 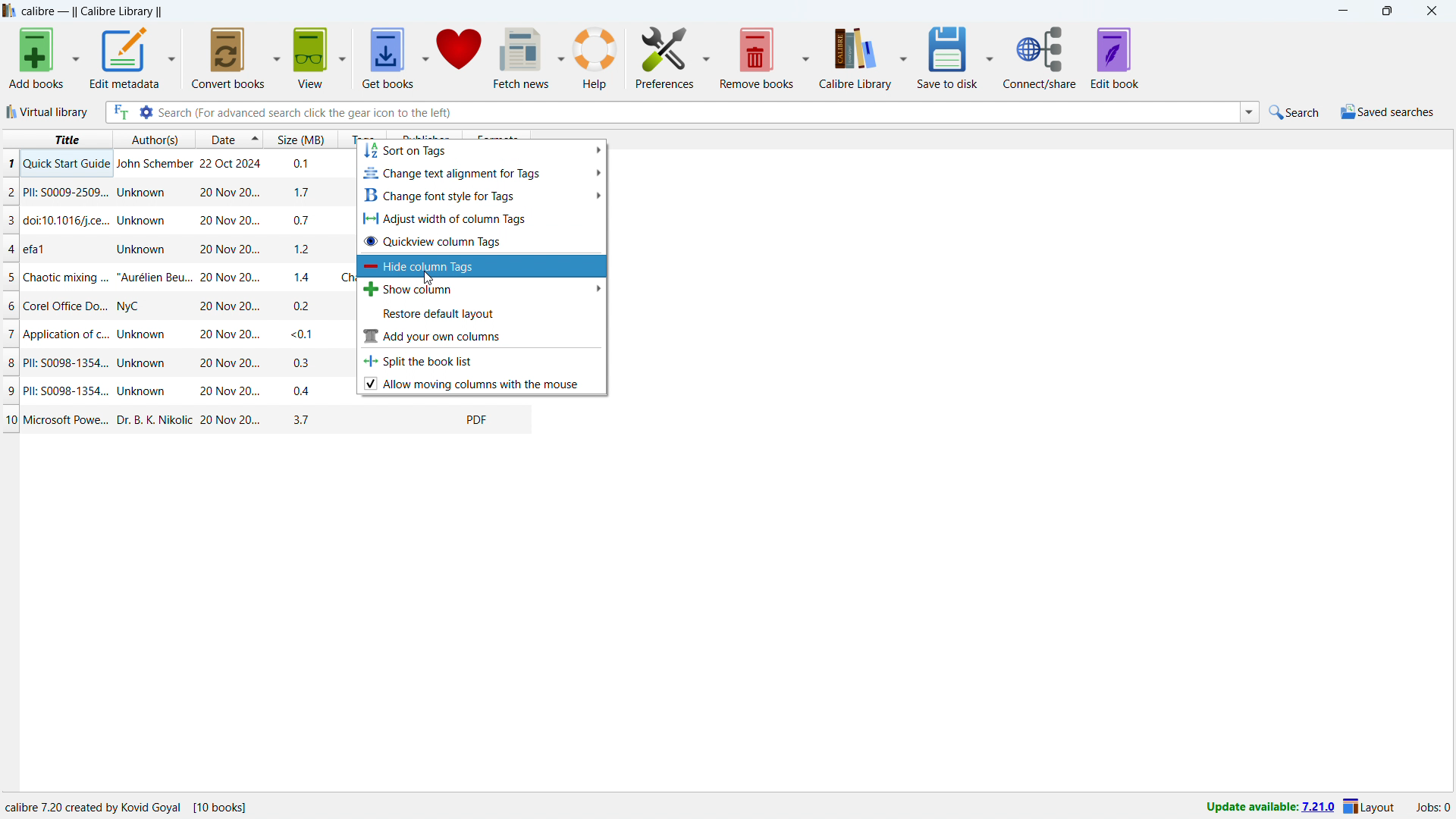 What do you see at coordinates (1432, 805) in the screenshot?
I see `active jobs` at bounding box center [1432, 805].